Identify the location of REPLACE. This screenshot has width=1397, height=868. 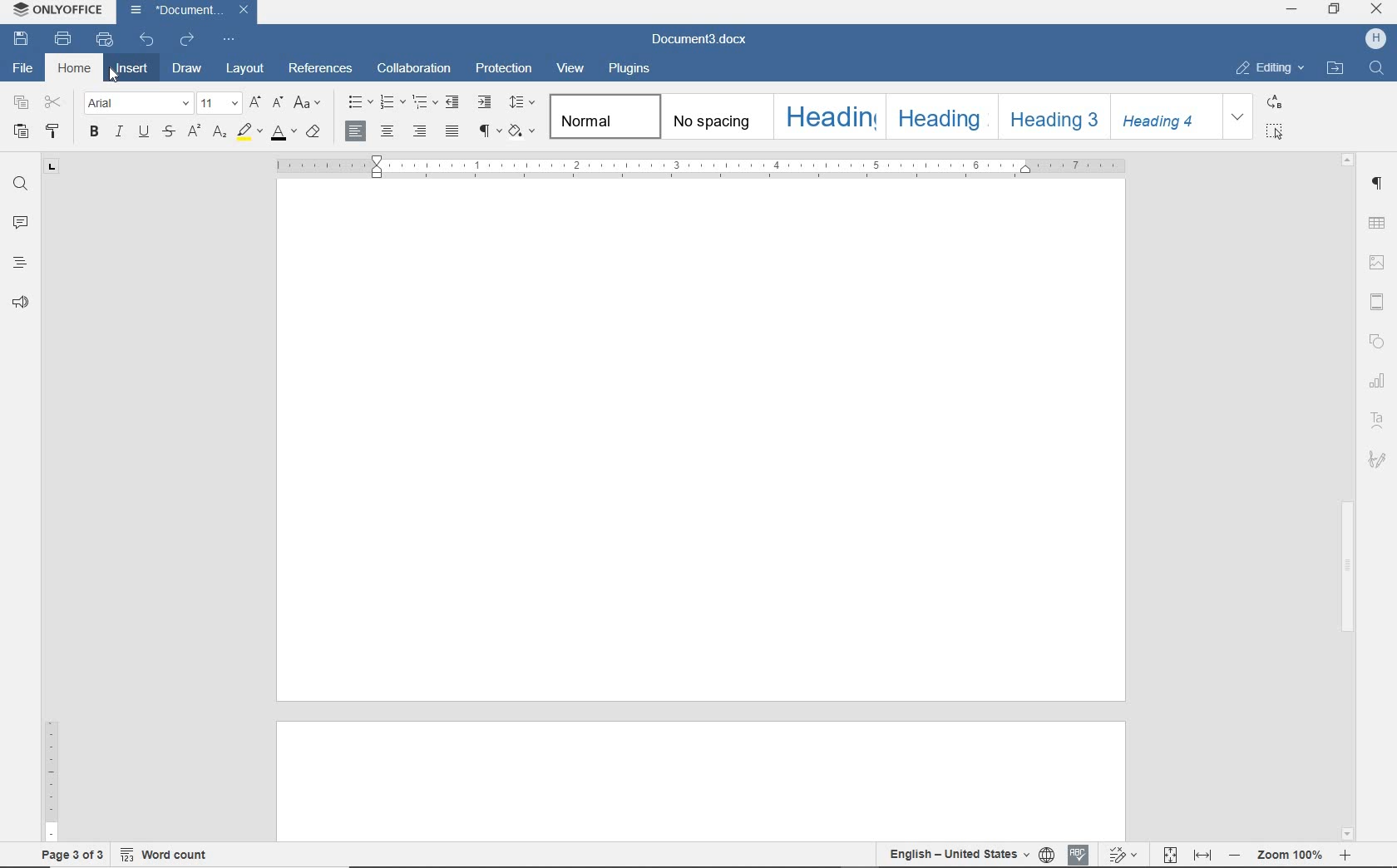
(1284, 101).